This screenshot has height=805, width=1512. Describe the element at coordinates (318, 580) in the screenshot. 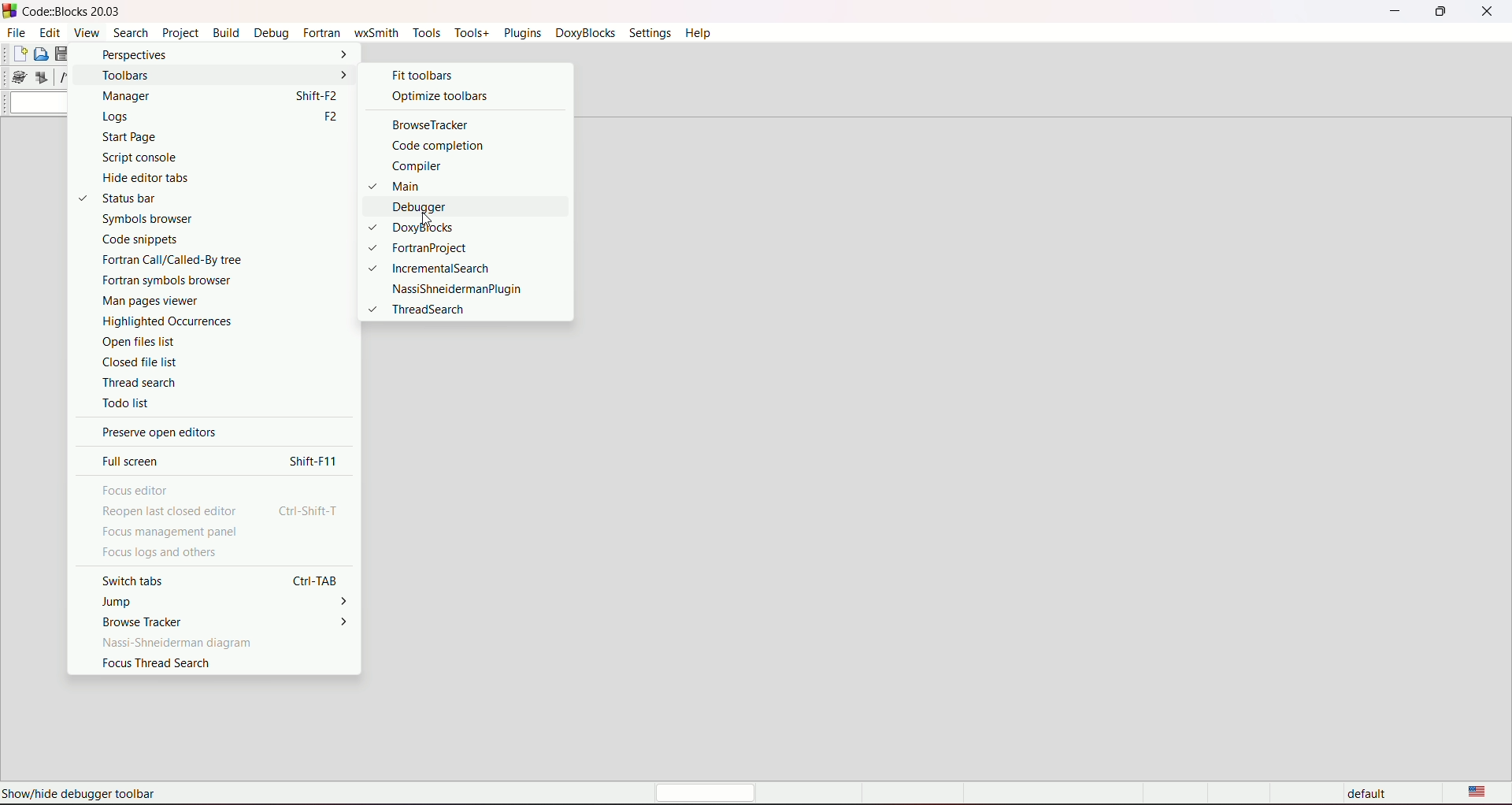

I see `ctrl+TAB` at that location.